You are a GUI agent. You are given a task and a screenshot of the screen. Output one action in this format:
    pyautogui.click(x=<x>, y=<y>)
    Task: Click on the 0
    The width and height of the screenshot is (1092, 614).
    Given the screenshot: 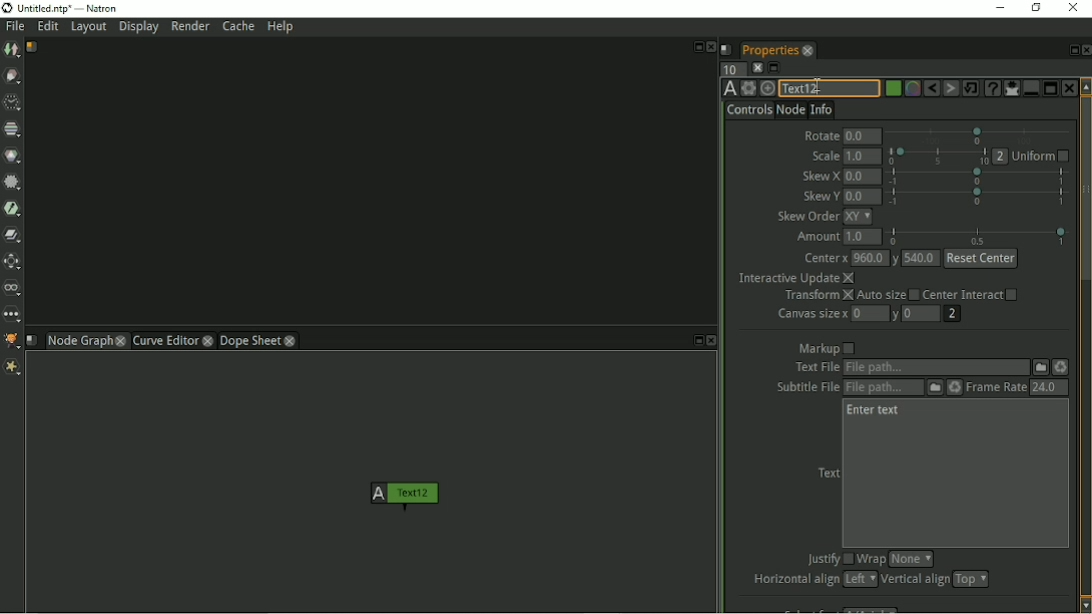 What is the action you would take?
    pyautogui.click(x=923, y=314)
    